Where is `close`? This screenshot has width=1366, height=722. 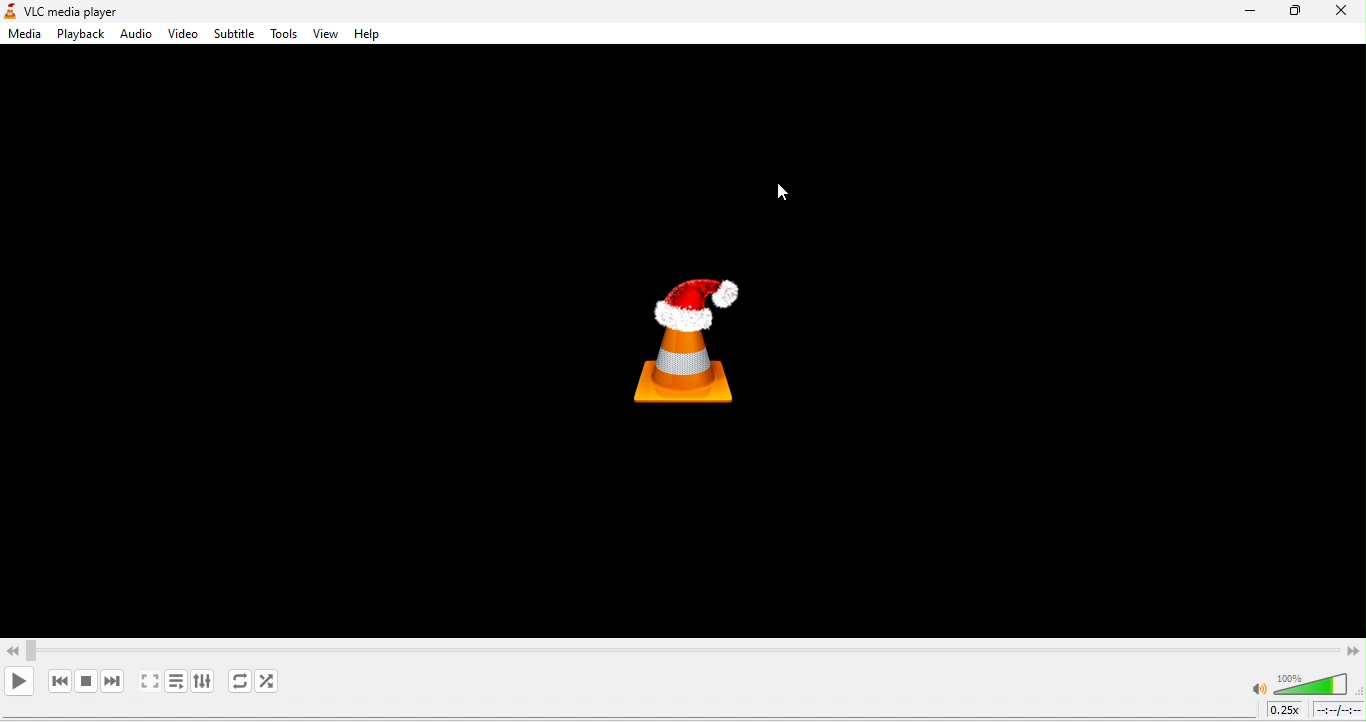
close is located at coordinates (1344, 13).